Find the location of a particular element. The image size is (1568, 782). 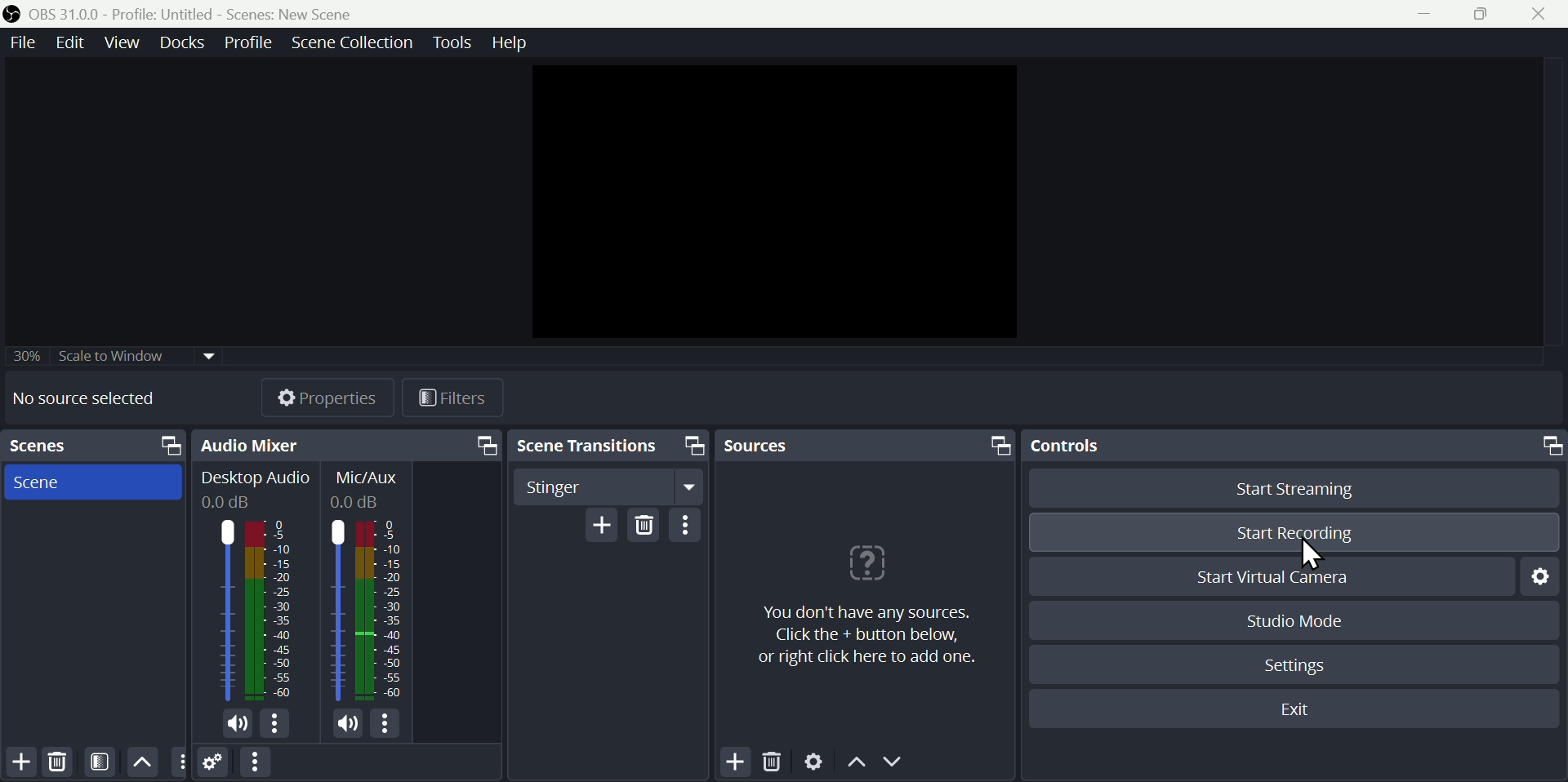

Desktop Audio is located at coordinates (250, 587).